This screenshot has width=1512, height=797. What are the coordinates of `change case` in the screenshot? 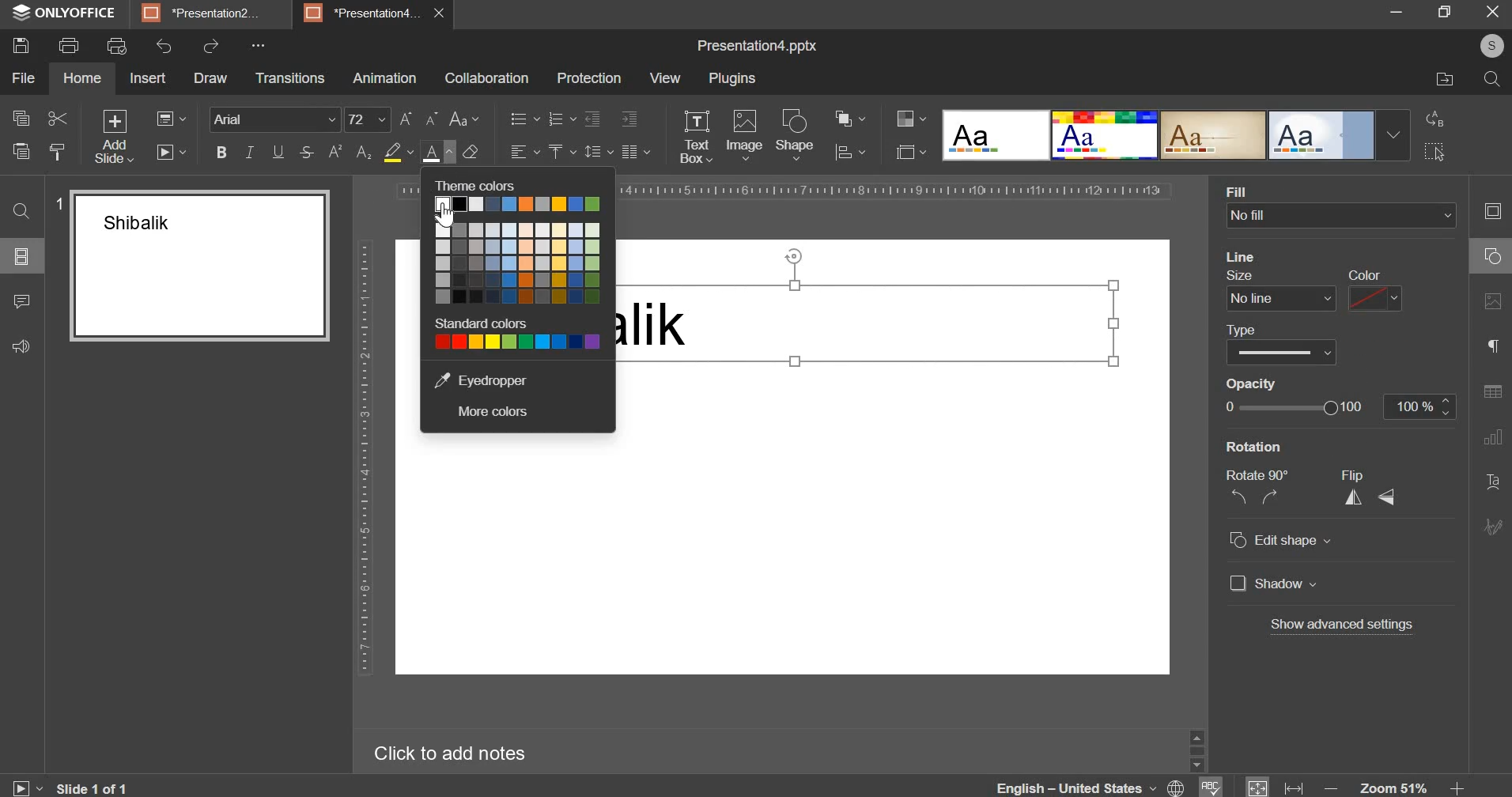 It's located at (465, 119).